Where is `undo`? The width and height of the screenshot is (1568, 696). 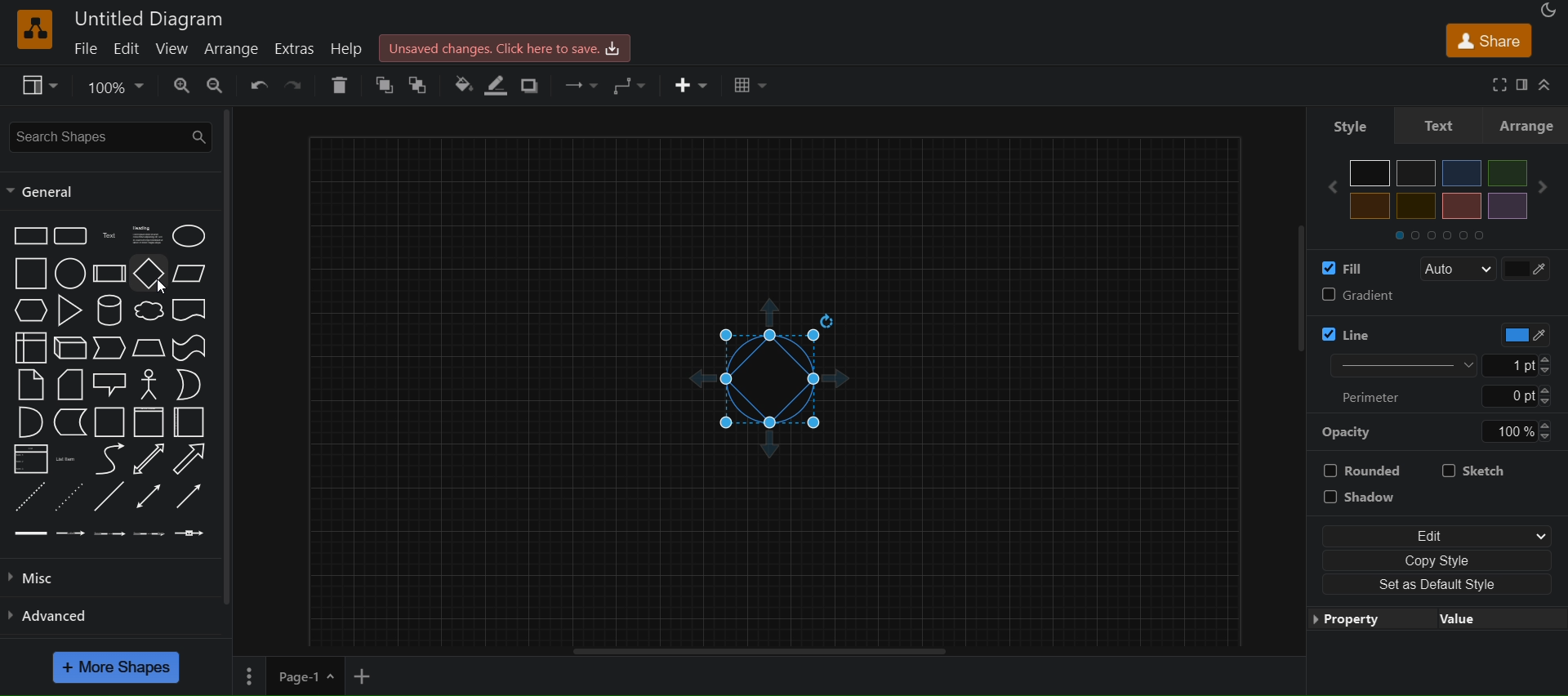
undo is located at coordinates (261, 84).